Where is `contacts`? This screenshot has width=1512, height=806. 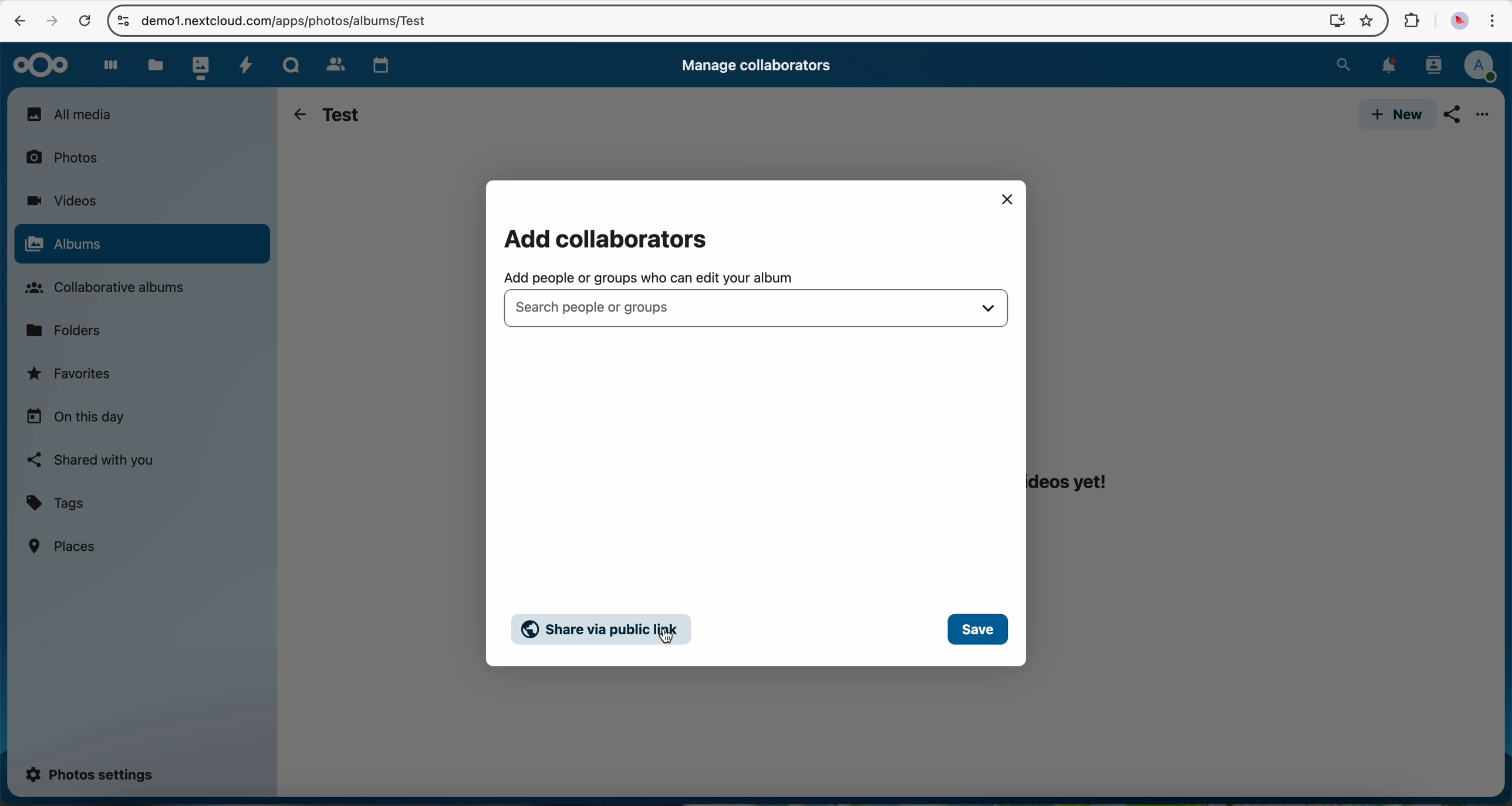
contacts is located at coordinates (1430, 65).